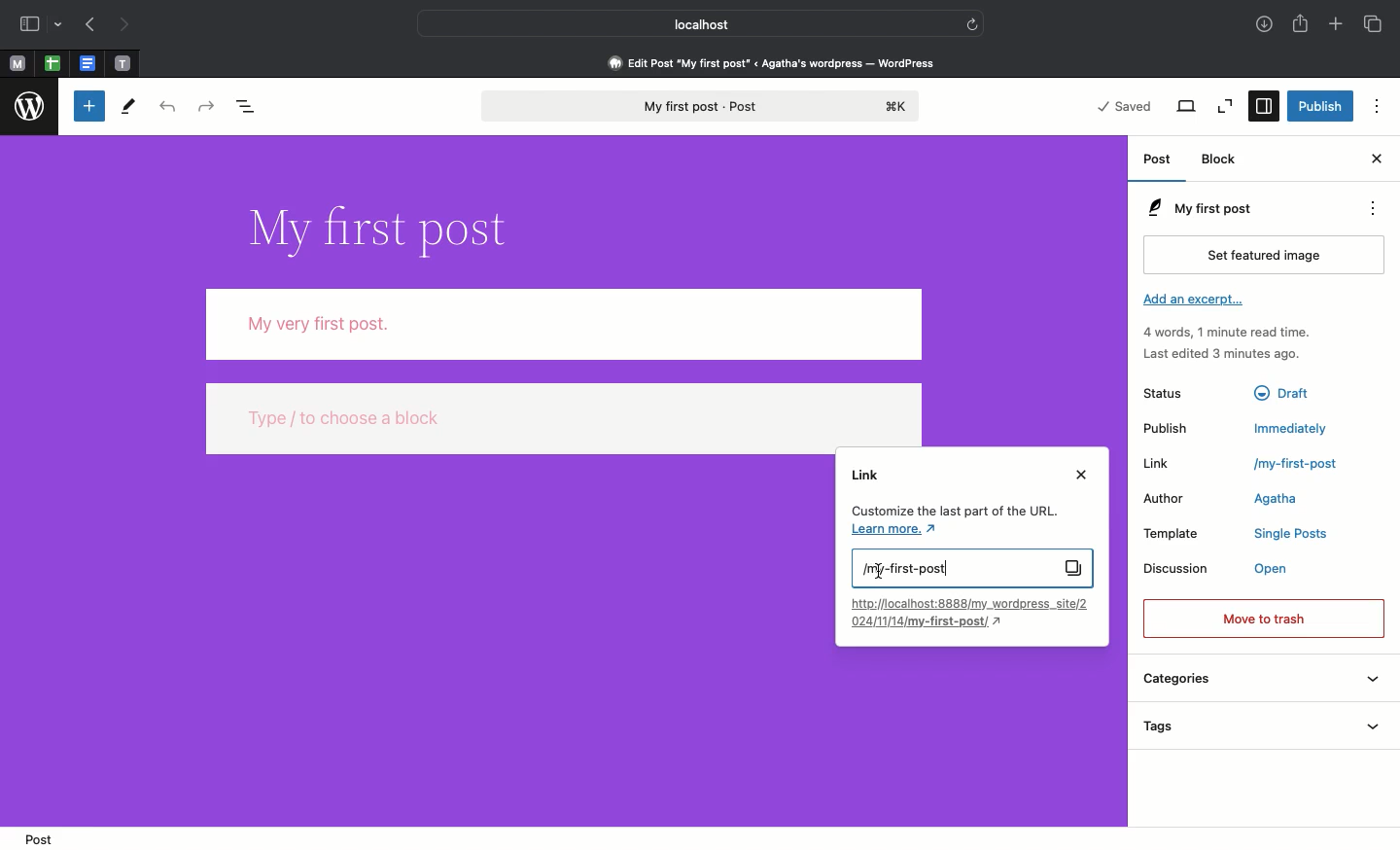 The width and height of the screenshot is (1400, 850). Describe the element at coordinates (686, 21) in the screenshot. I see `Local host` at that location.